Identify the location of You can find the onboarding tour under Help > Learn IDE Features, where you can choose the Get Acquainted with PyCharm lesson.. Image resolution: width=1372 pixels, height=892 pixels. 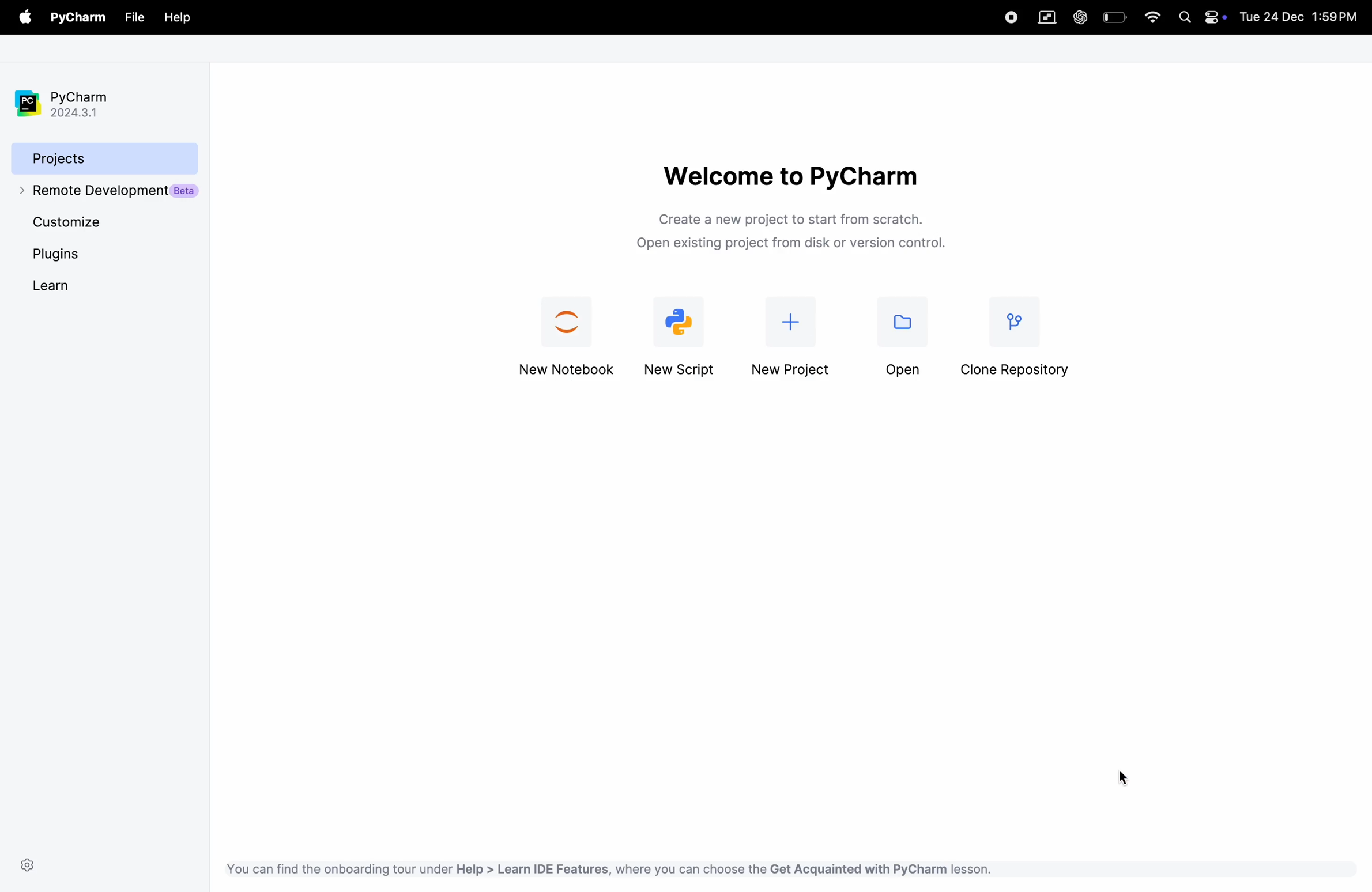
(610, 867).